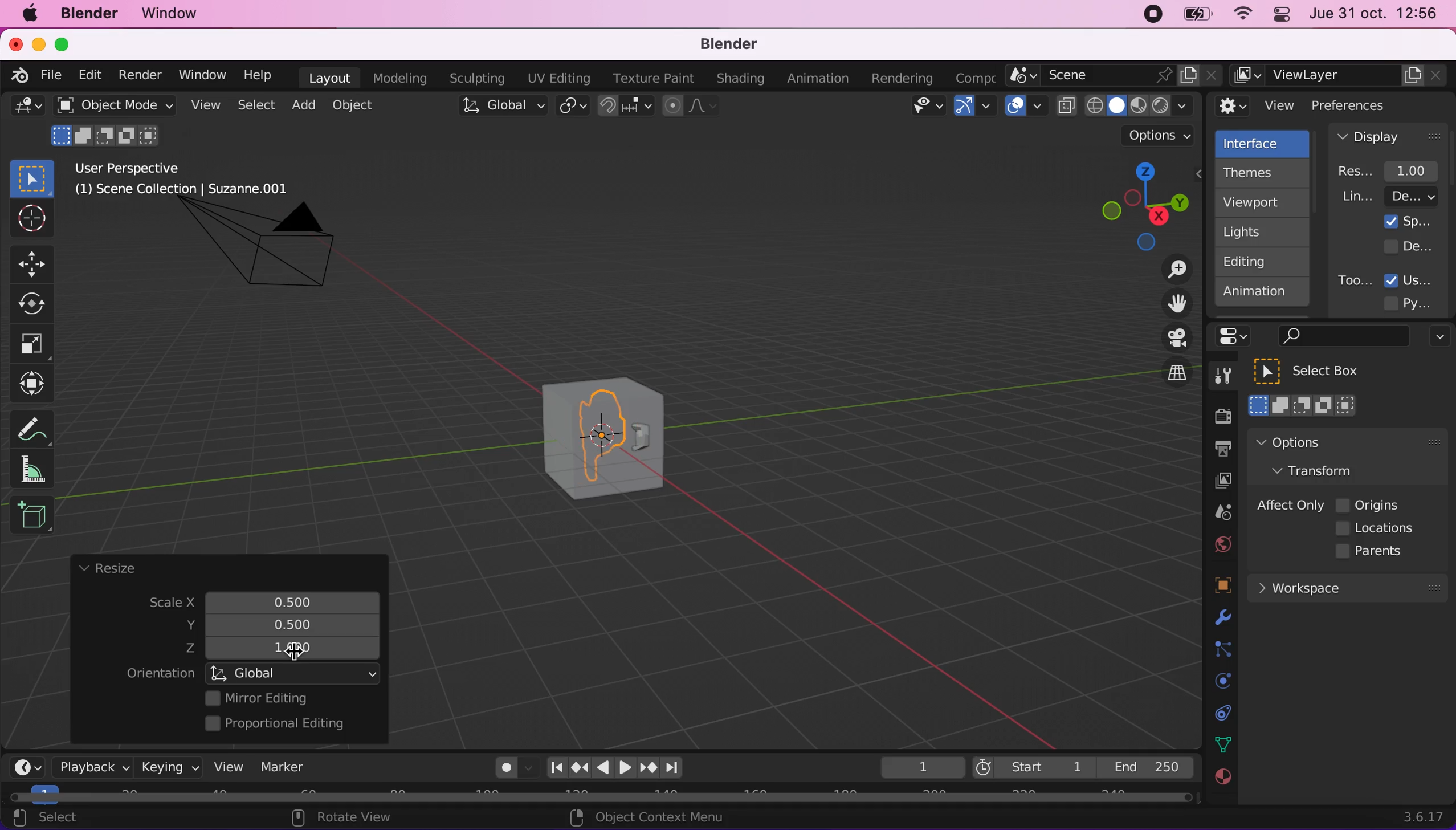 The height and width of the screenshot is (830, 1456). What do you see at coordinates (68, 44) in the screenshot?
I see `maximize` at bounding box center [68, 44].